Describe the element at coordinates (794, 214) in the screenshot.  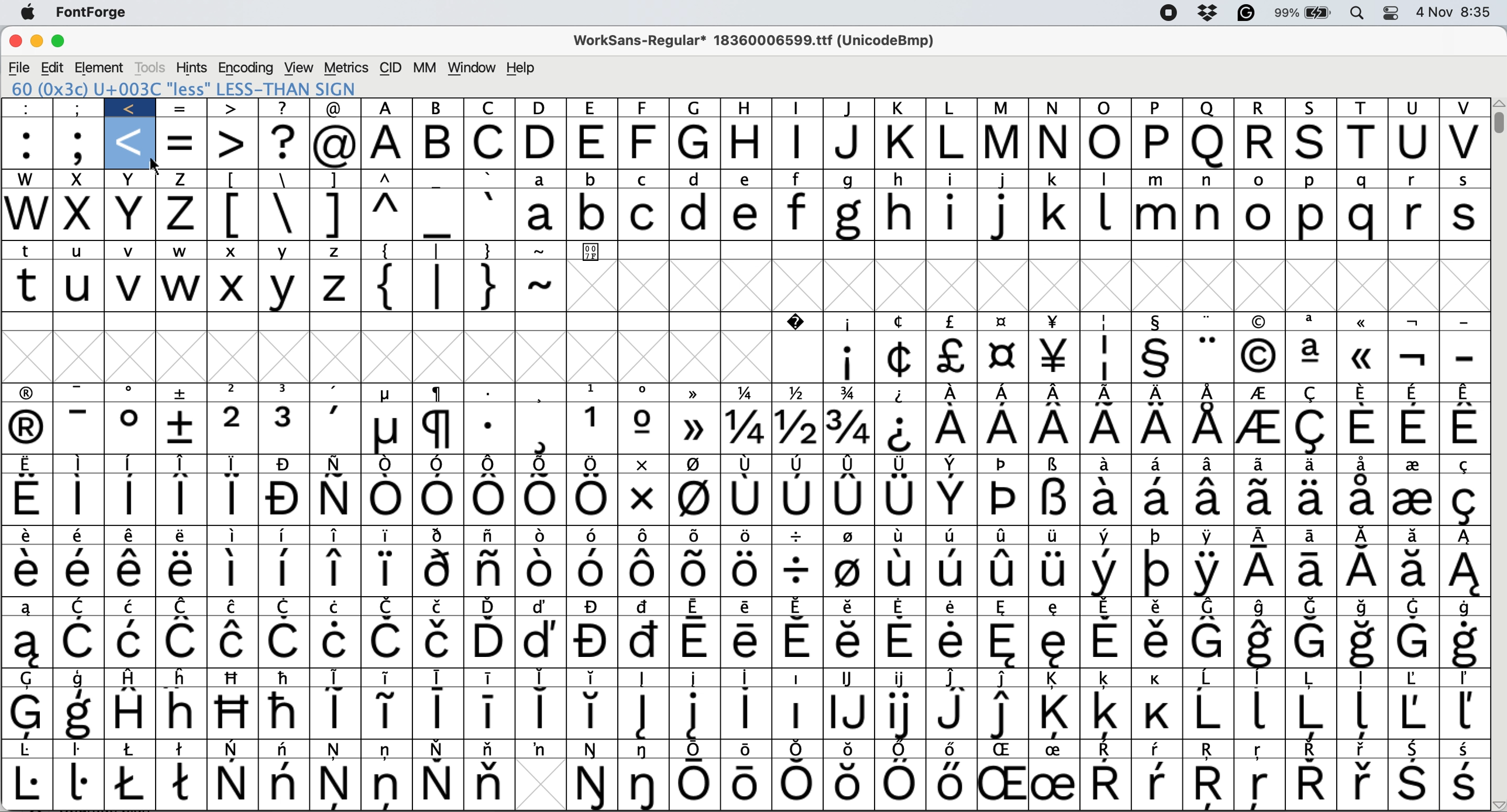
I see `f` at that location.